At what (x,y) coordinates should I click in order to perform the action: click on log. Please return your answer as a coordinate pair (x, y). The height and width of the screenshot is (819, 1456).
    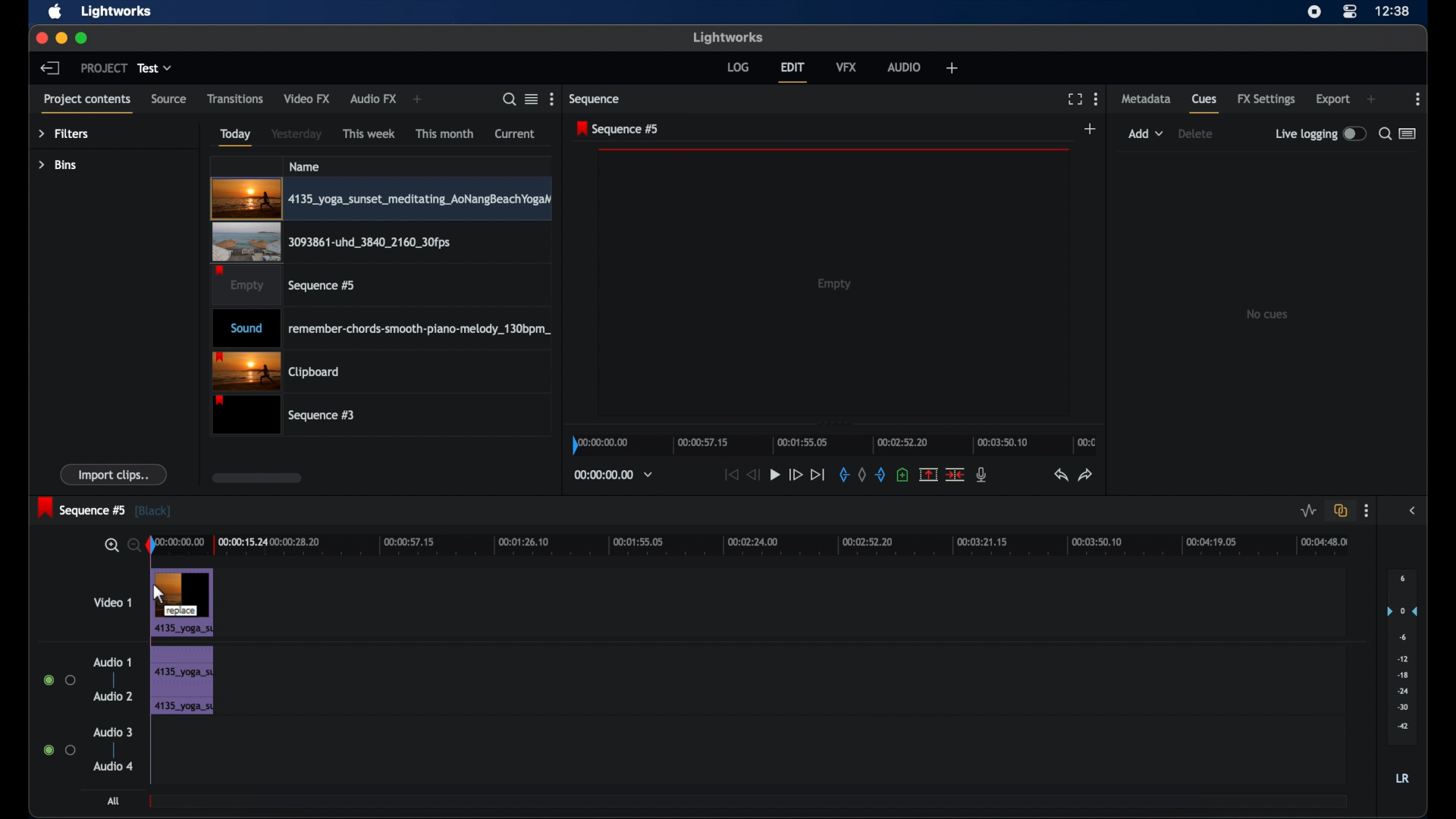
    Looking at the image, I should click on (738, 67).